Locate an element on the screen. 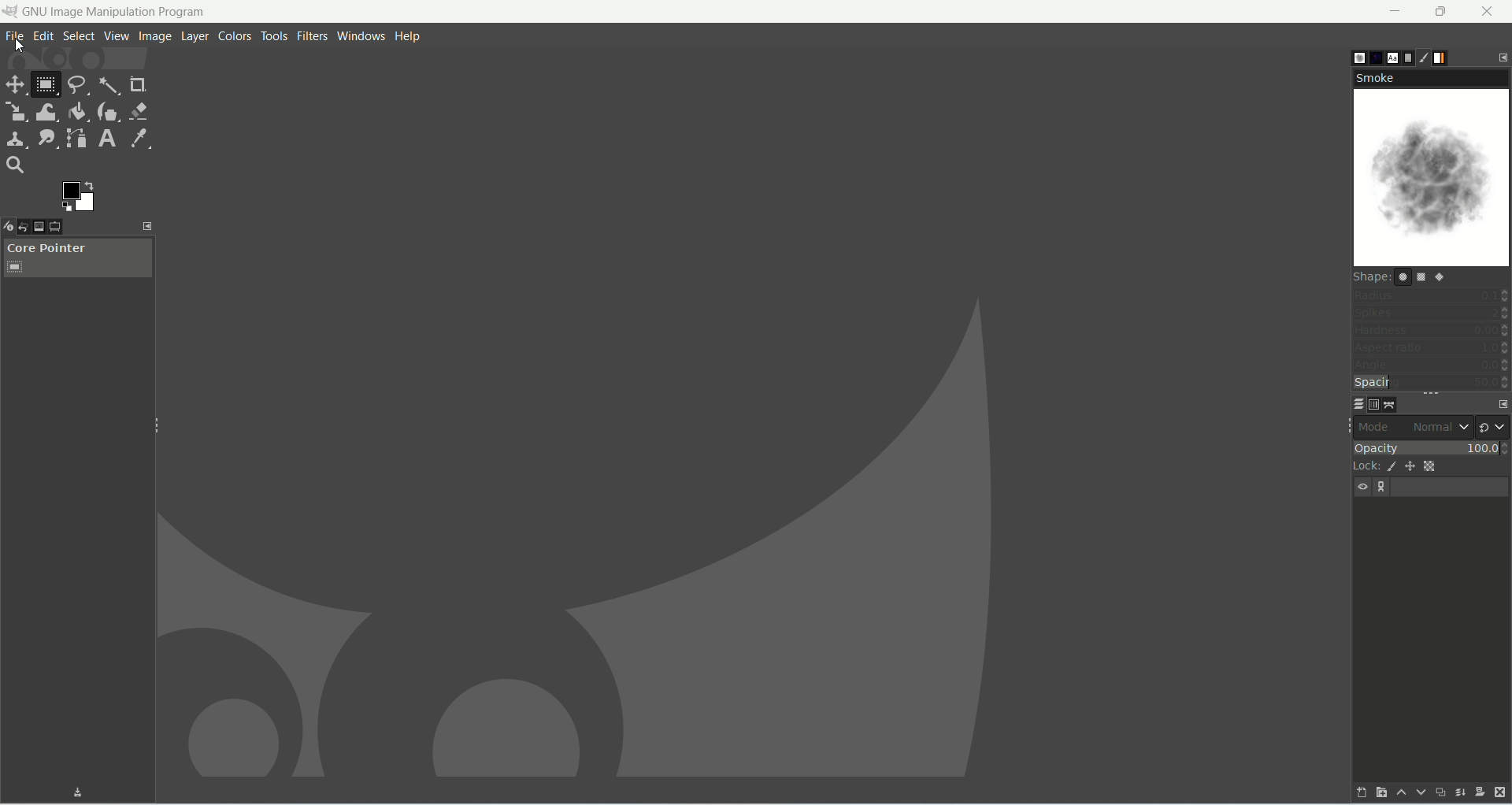  warp transform is located at coordinates (48, 113).